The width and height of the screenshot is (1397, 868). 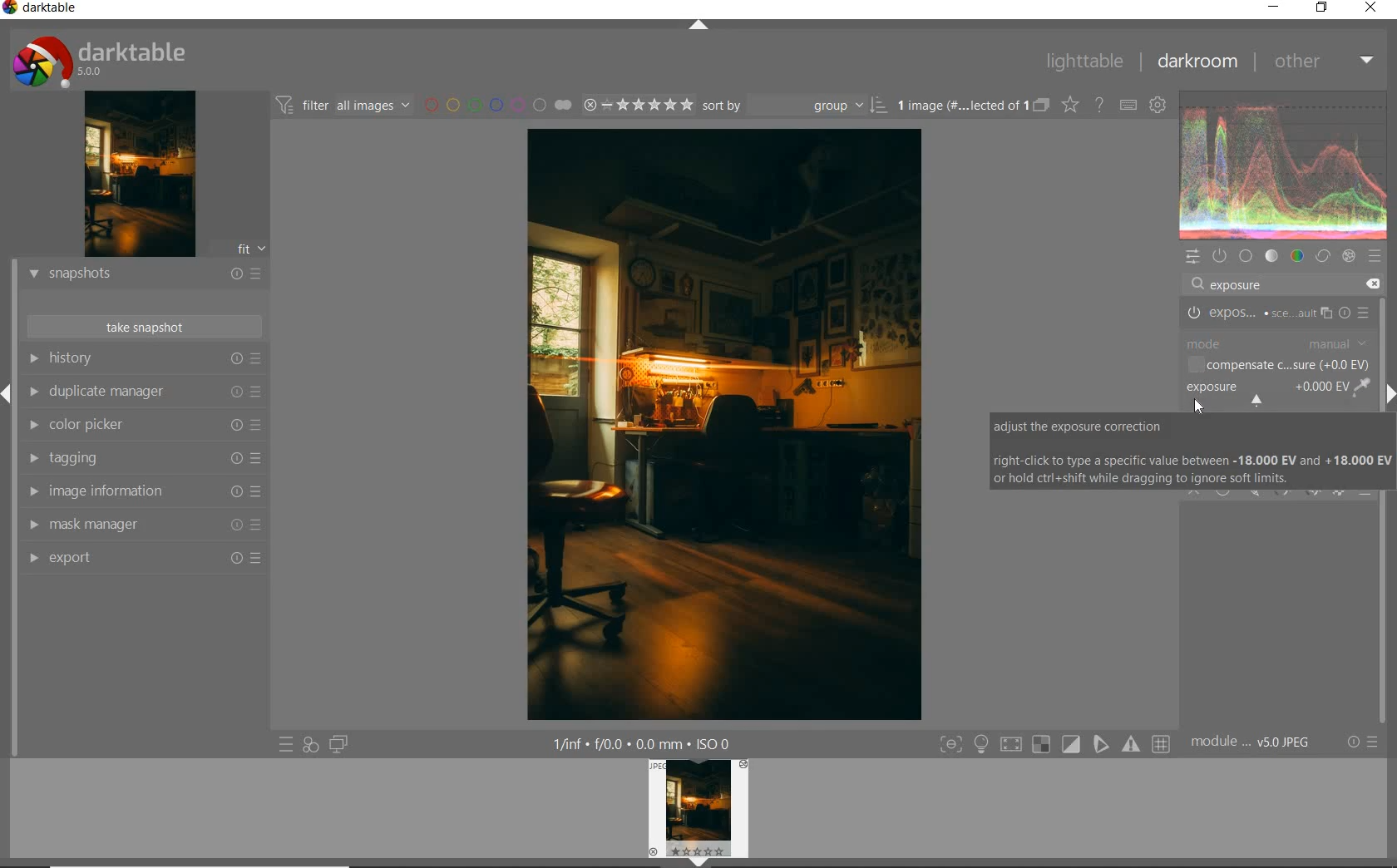 I want to click on range rating of selected images, so click(x=638, y=106).